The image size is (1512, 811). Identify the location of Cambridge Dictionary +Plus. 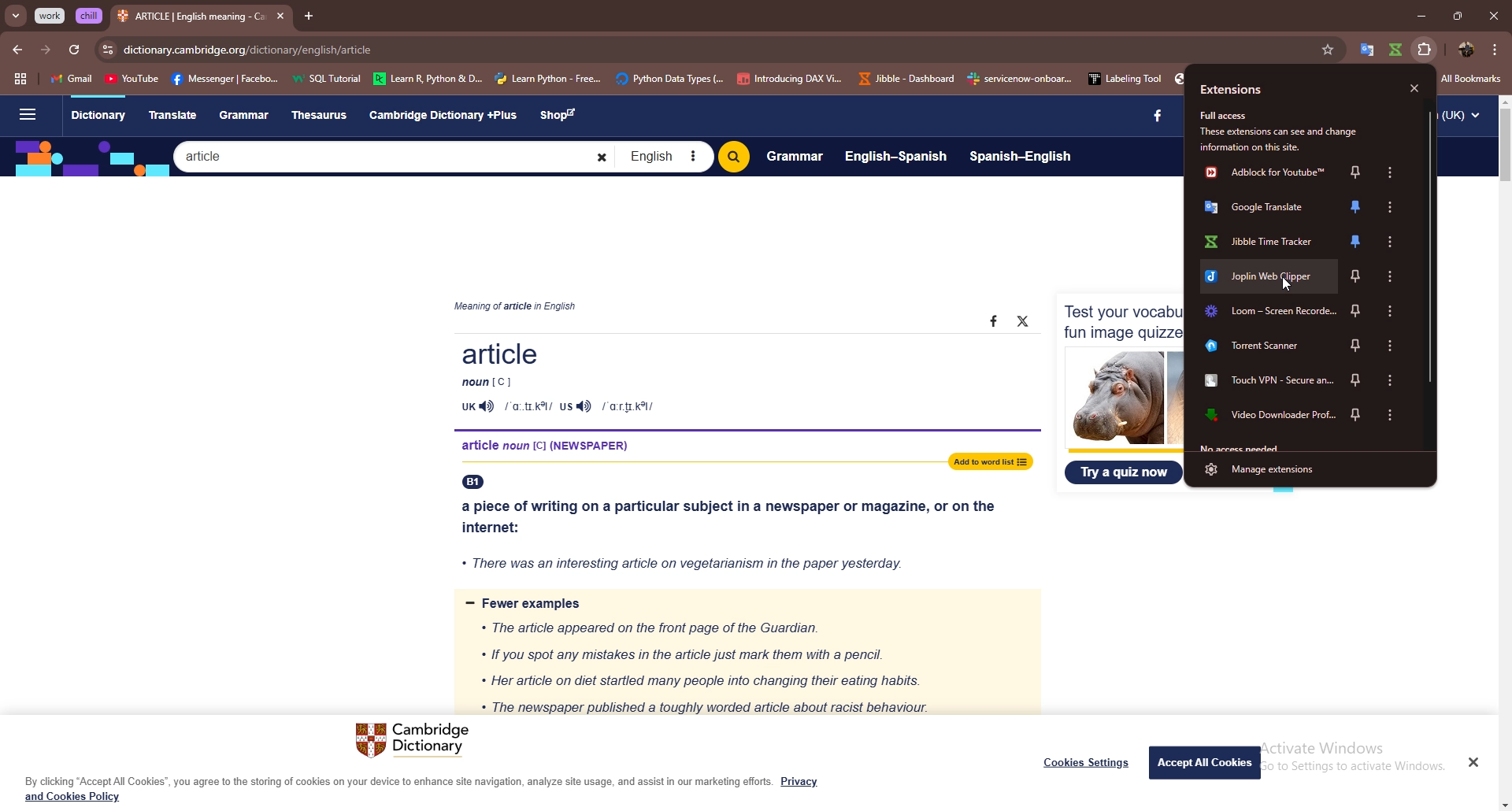
(445, 115).